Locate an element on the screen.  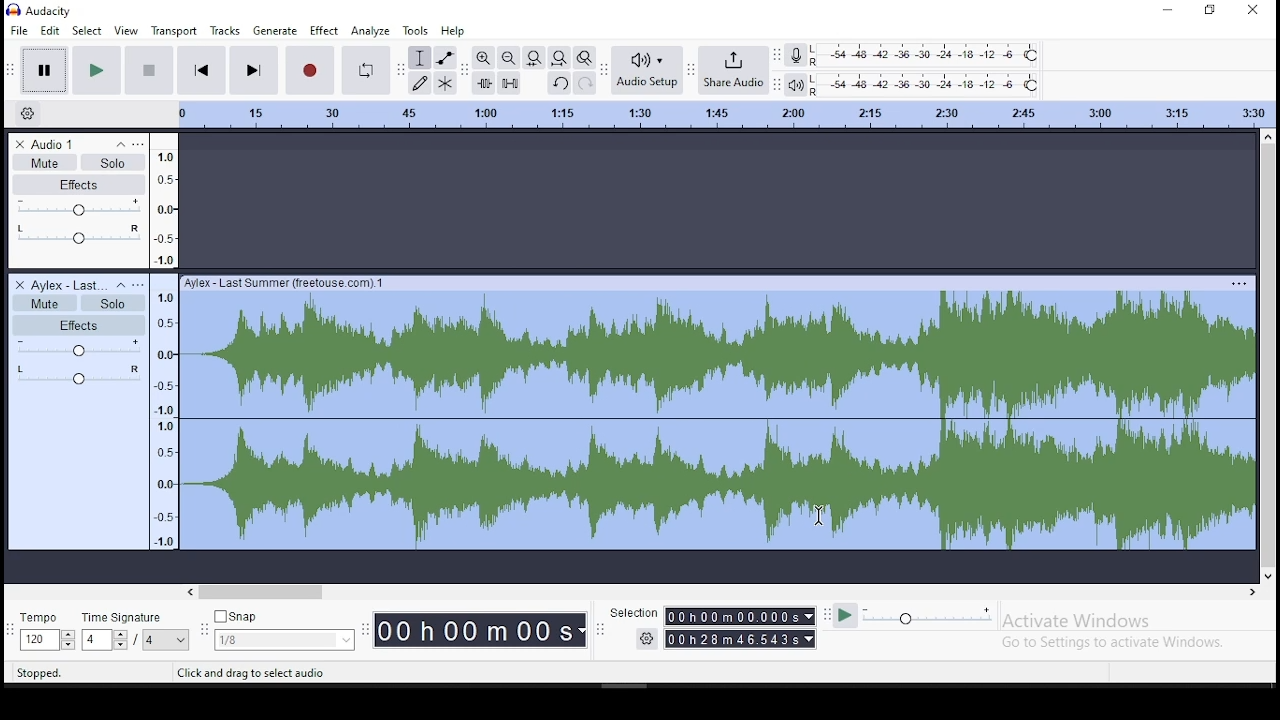
icon is located at coordinates (43, 11).